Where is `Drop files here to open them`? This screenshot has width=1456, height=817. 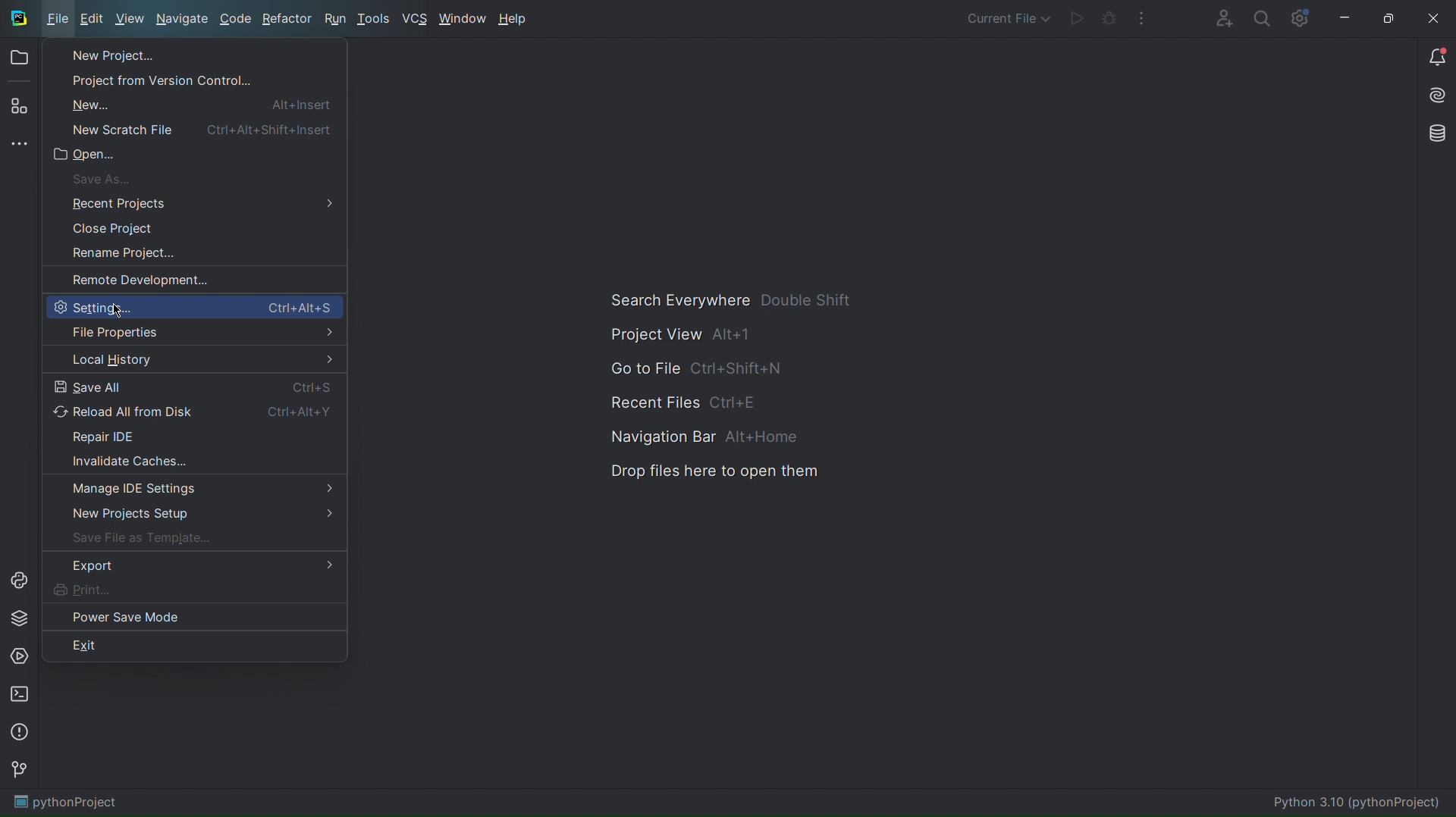 Drop files here to open them is located at coordinates (720, 471).